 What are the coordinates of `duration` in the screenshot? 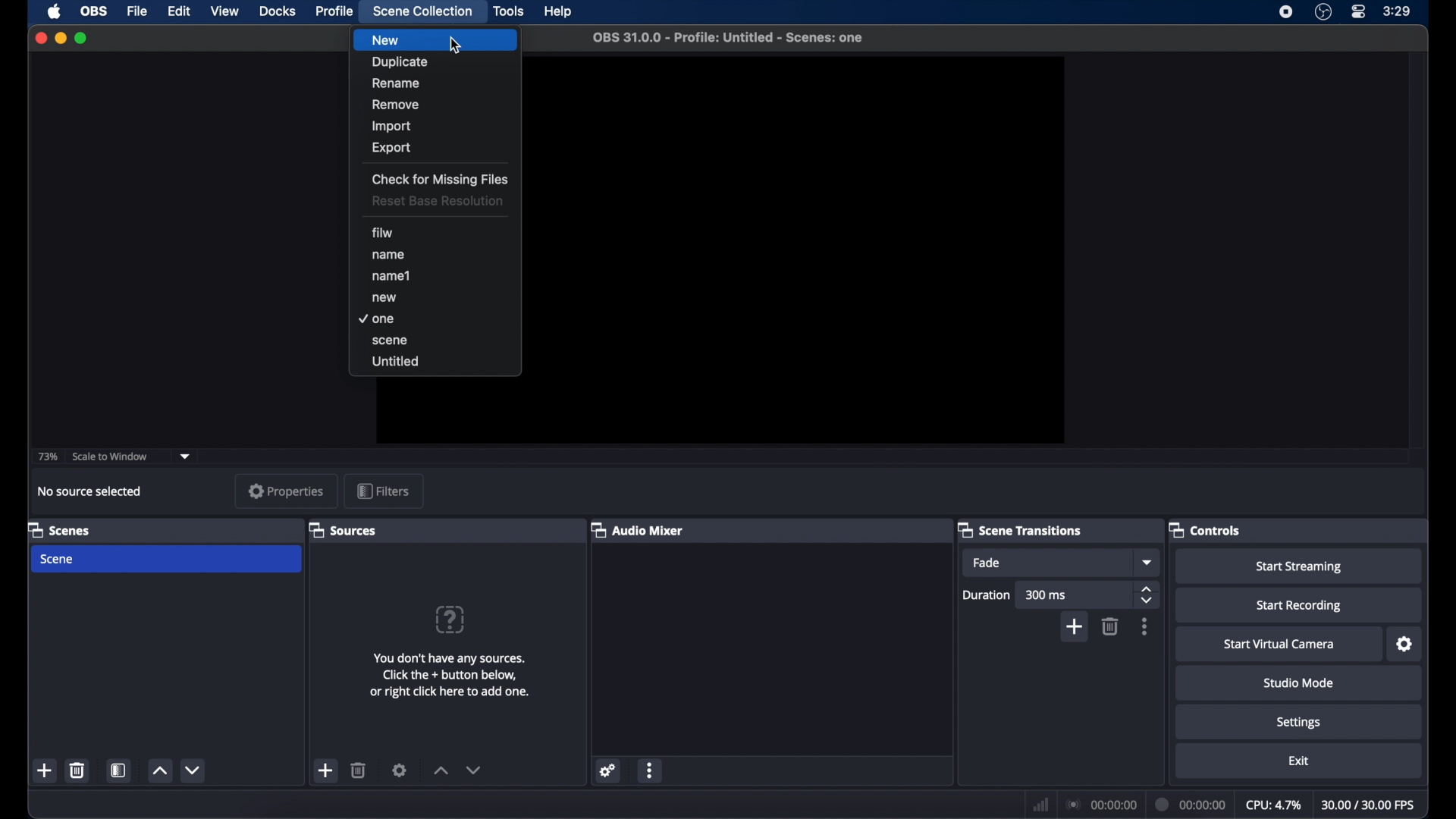 It's located at (987, 595).